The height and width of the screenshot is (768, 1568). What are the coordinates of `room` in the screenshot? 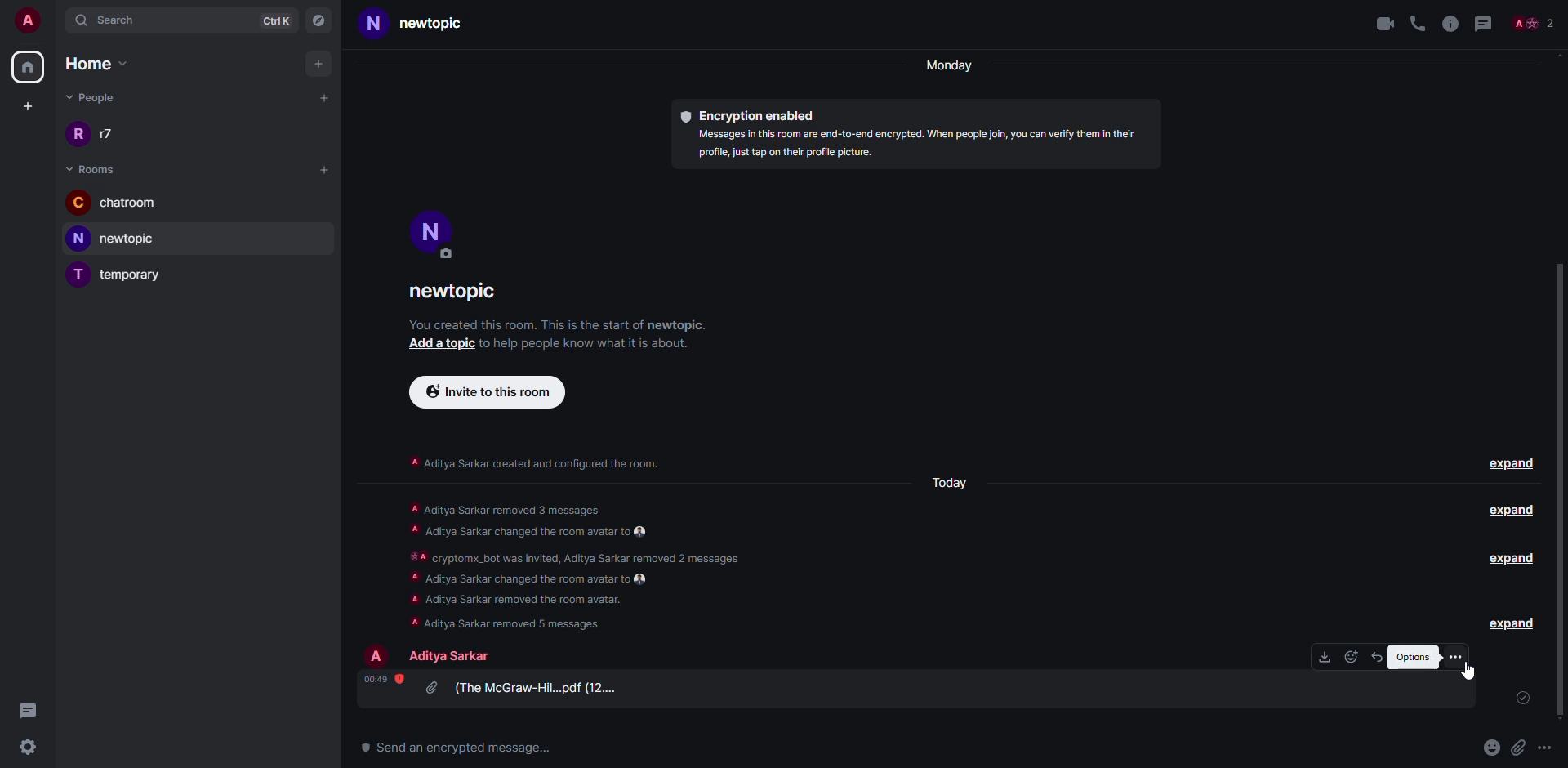 It's located at (454, 291).